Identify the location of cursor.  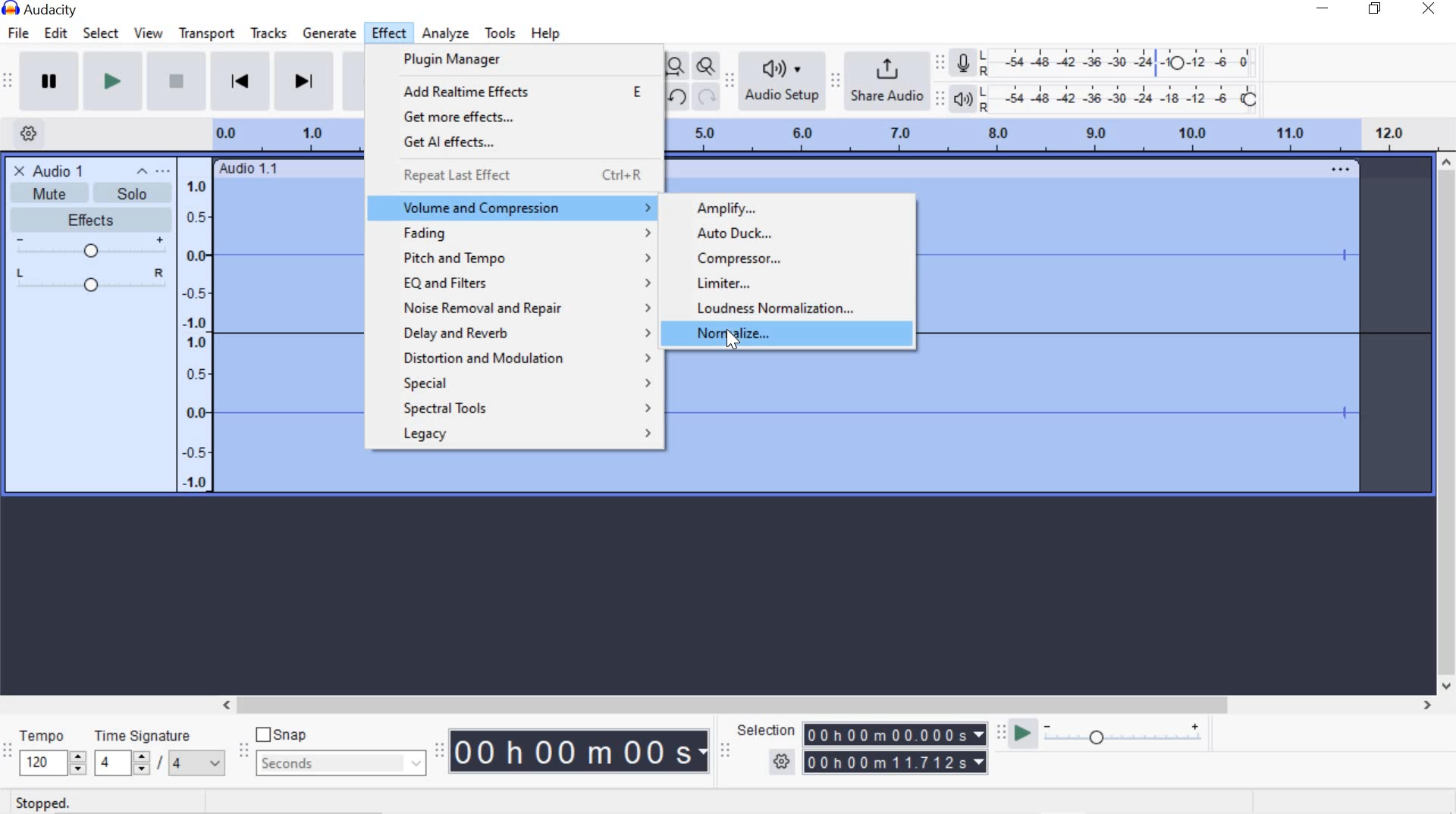
(736, 346).